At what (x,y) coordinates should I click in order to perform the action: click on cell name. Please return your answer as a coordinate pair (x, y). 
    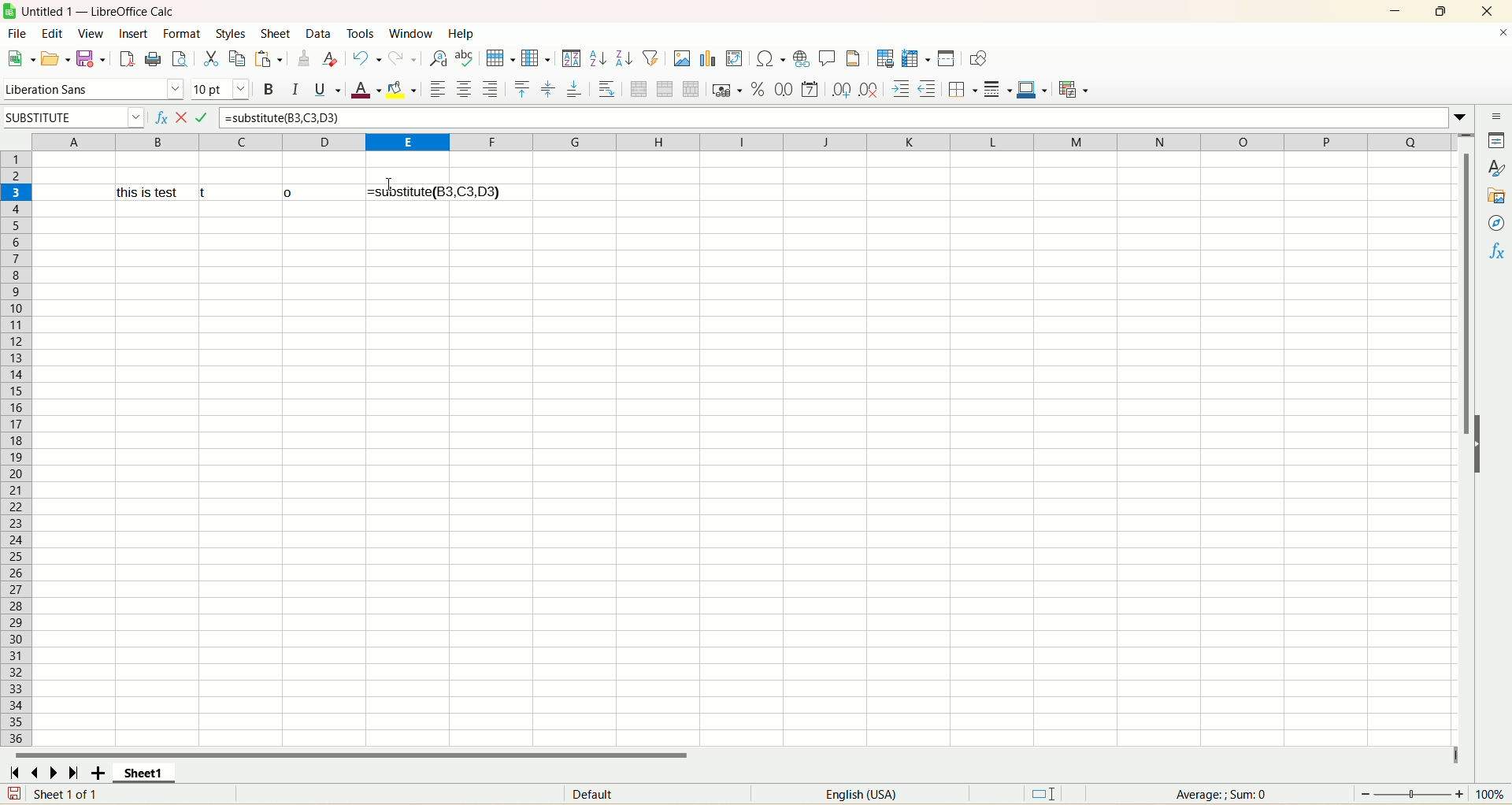
    Looking at the image, I should click on (74, 118).